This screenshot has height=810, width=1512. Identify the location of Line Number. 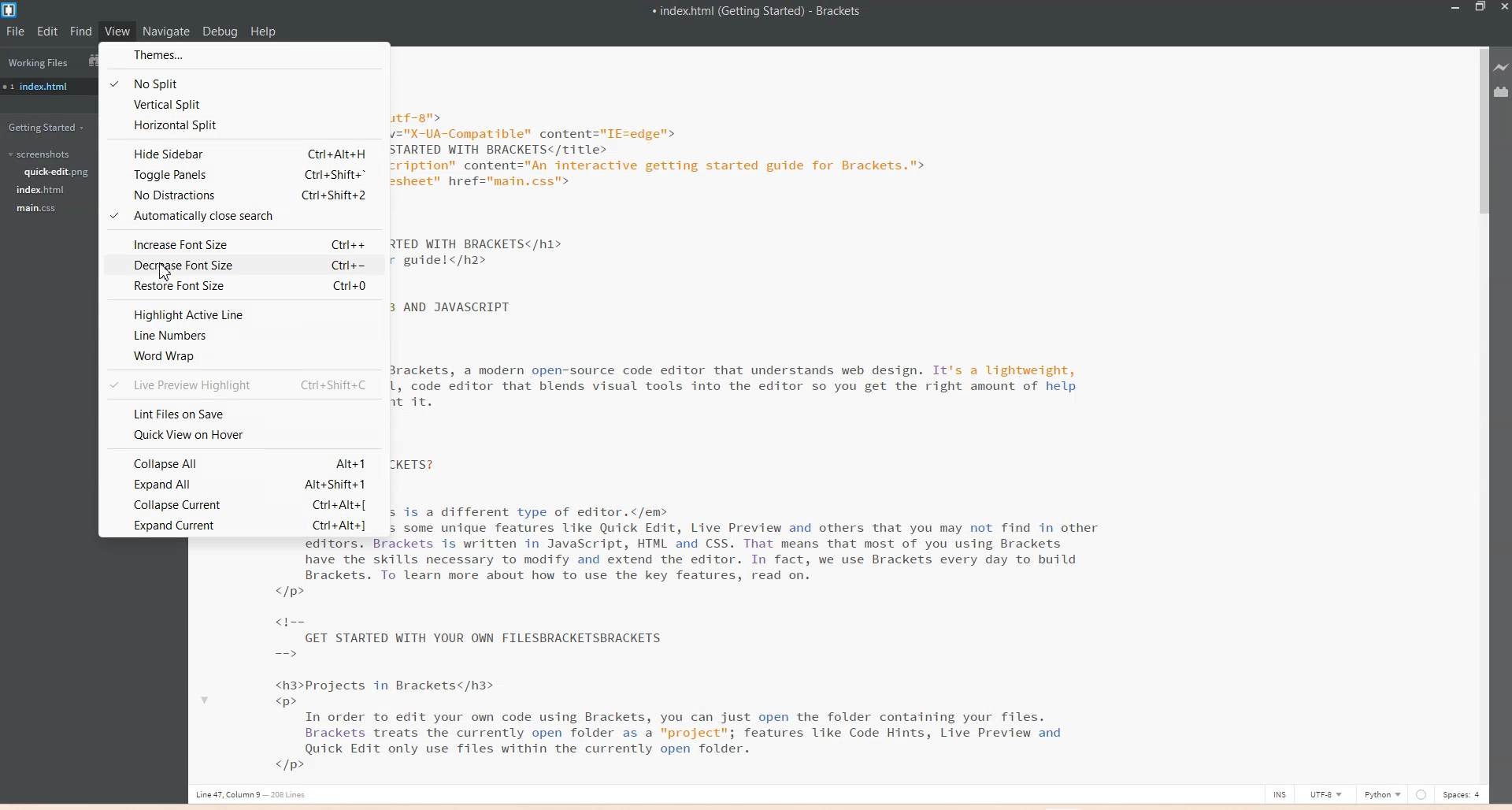
(244, 337).